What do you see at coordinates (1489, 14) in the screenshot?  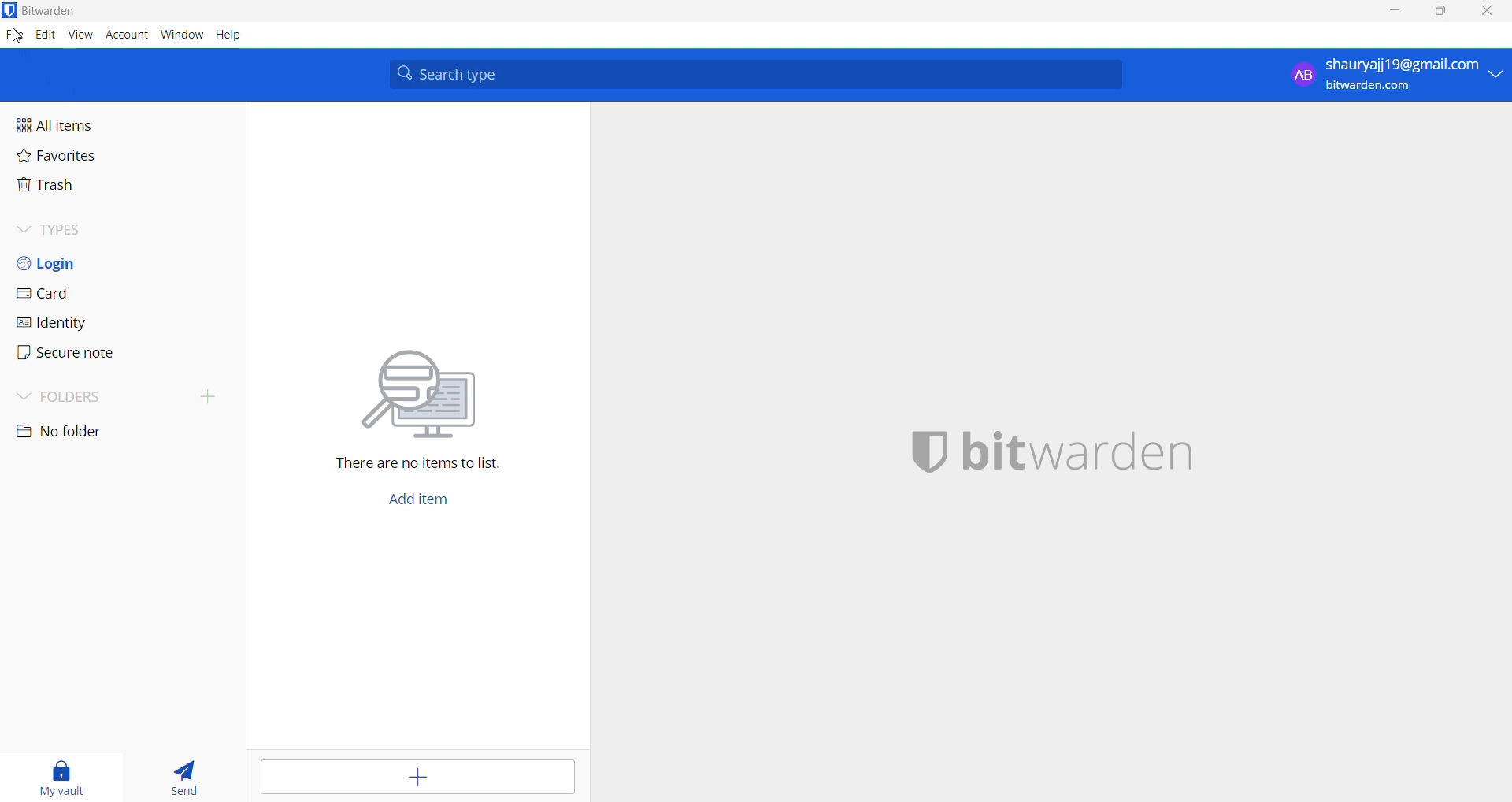 I see `close` at bounding box center [1489, 14].